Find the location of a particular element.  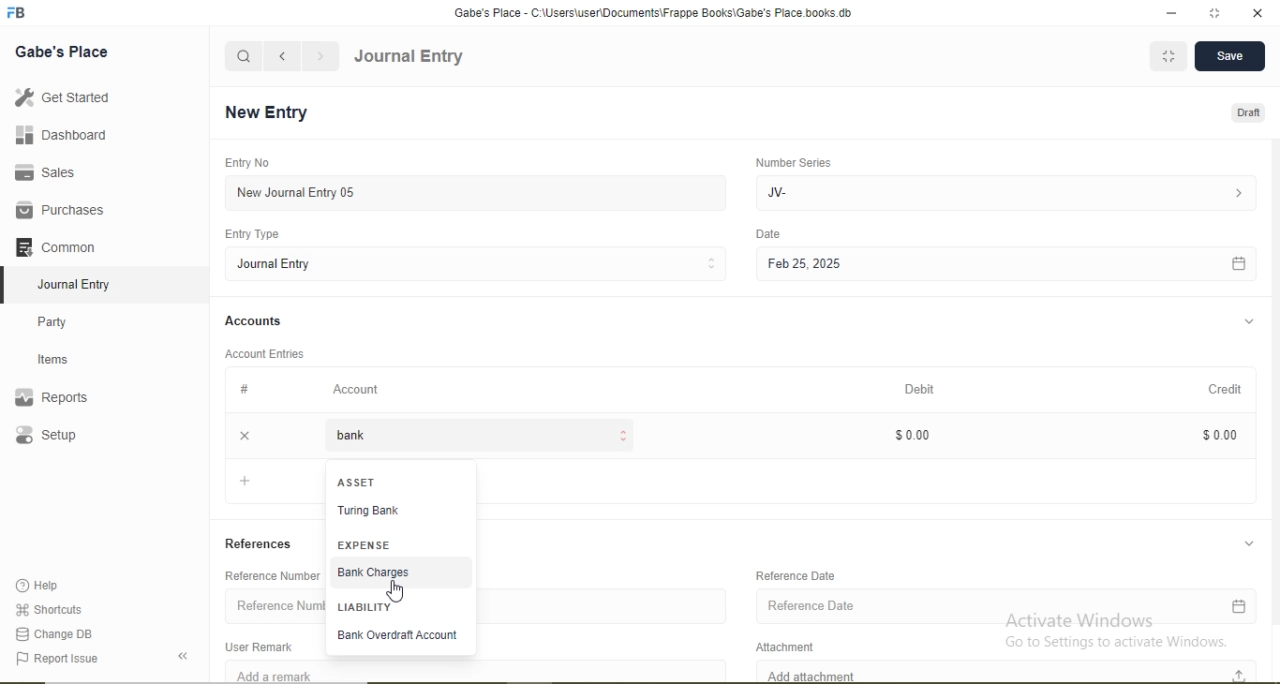

New Journal Entry 05 is located at coordinates (478, 192).